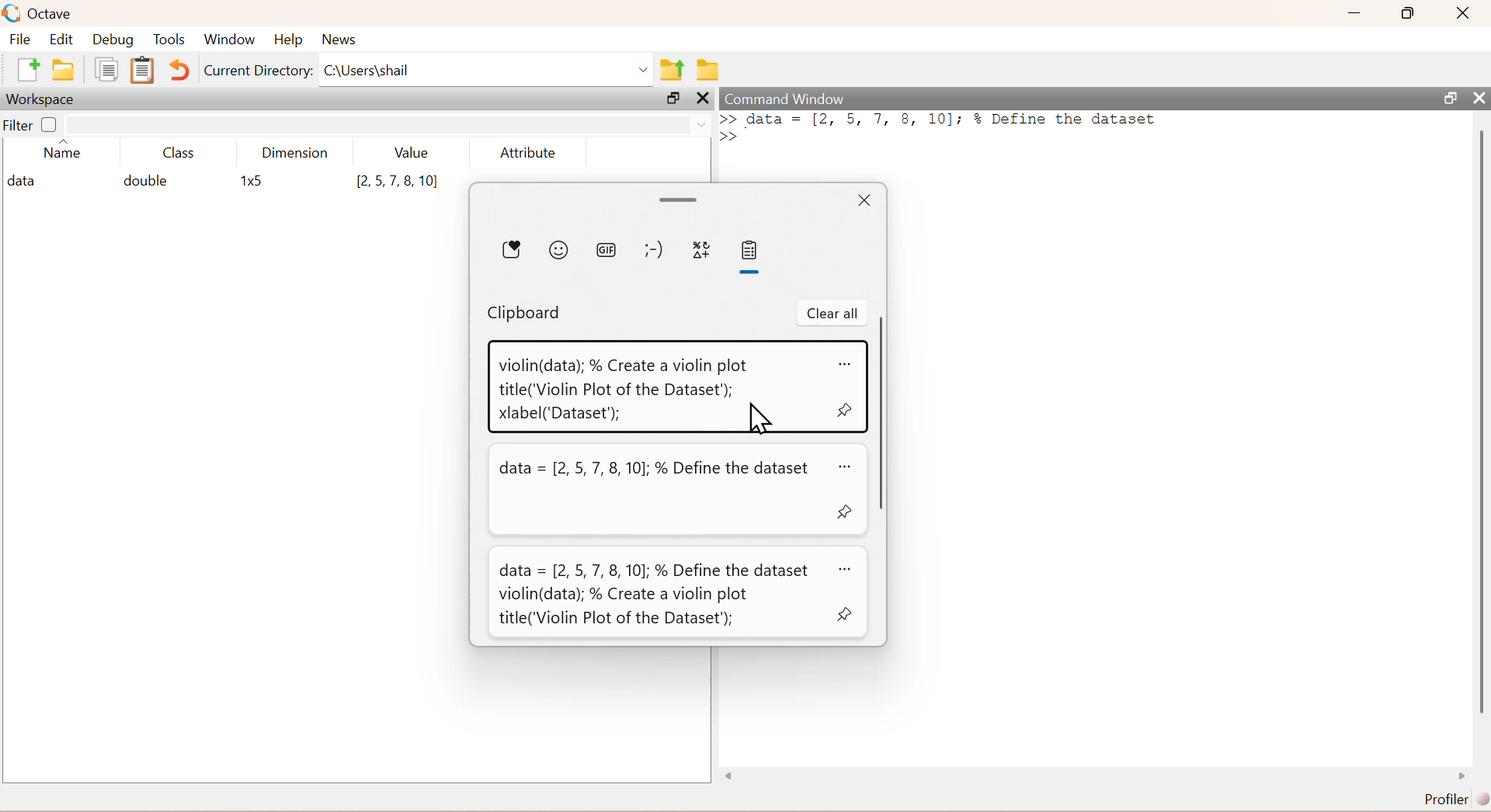 Image resolution: width=1491 pixels, height=812 pixels. I want to click on data = [2, 5, 7, 8, 10]; % Define the dataset
violin(data); % Create a violin plot
title('Violin Plot of the Dataset’);, so click(655, 595).